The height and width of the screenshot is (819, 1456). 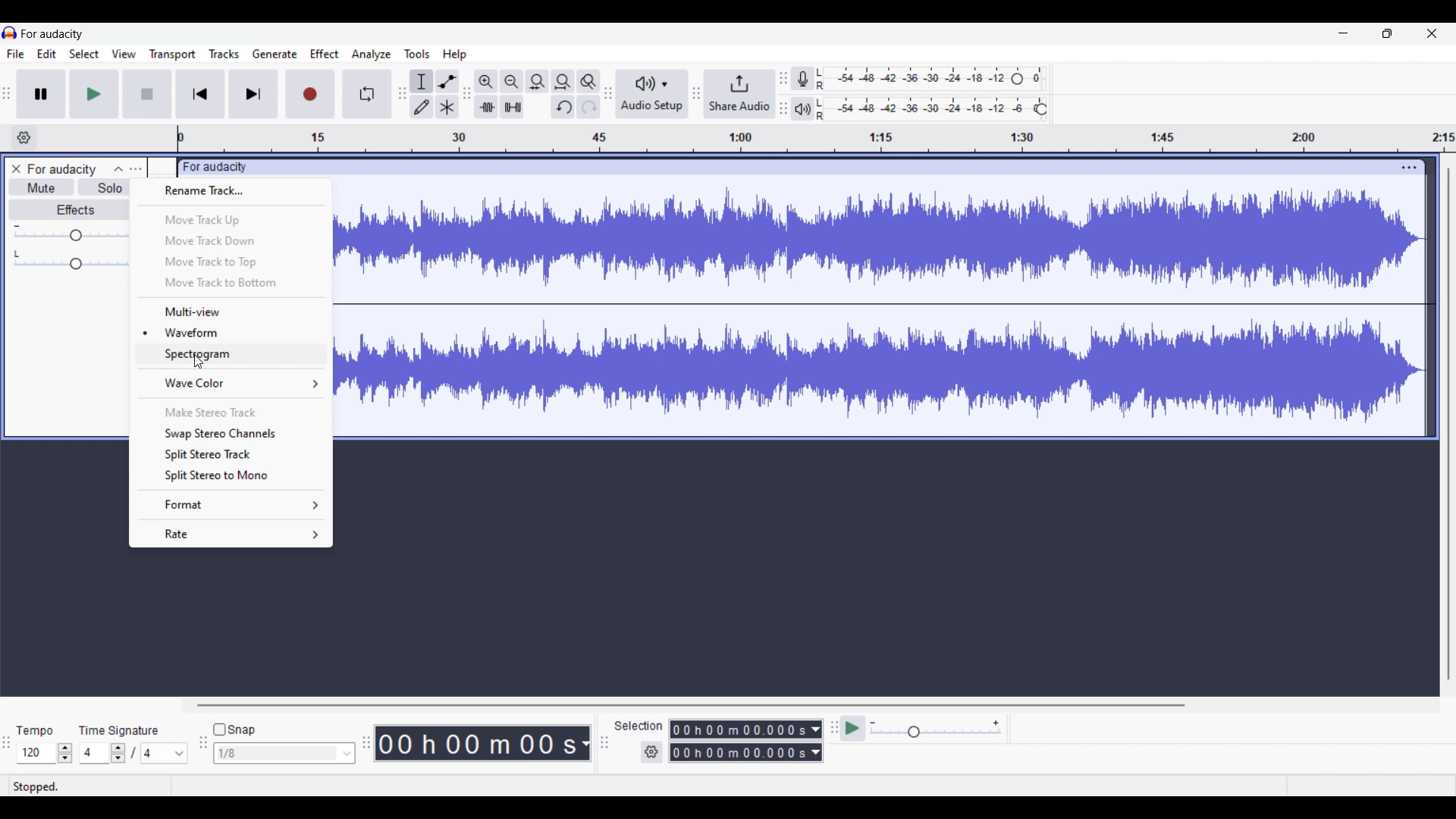 What do you see at coordinates (447, 107) in the screenshot?
I see `Multi tool` at bounding box center [447, 107].